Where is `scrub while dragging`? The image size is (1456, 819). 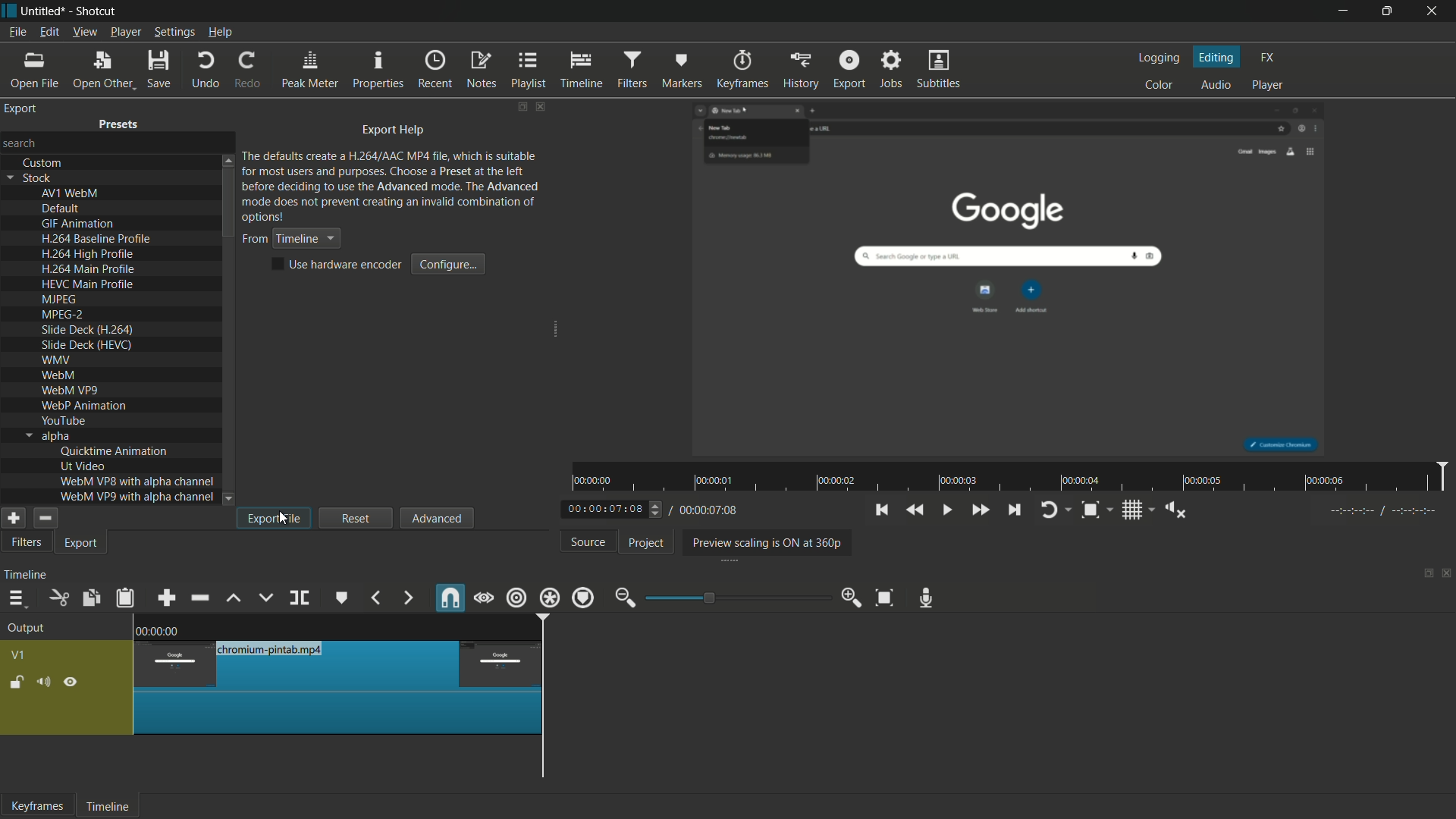 scrub while dragging is located at coordinates (485, 600).